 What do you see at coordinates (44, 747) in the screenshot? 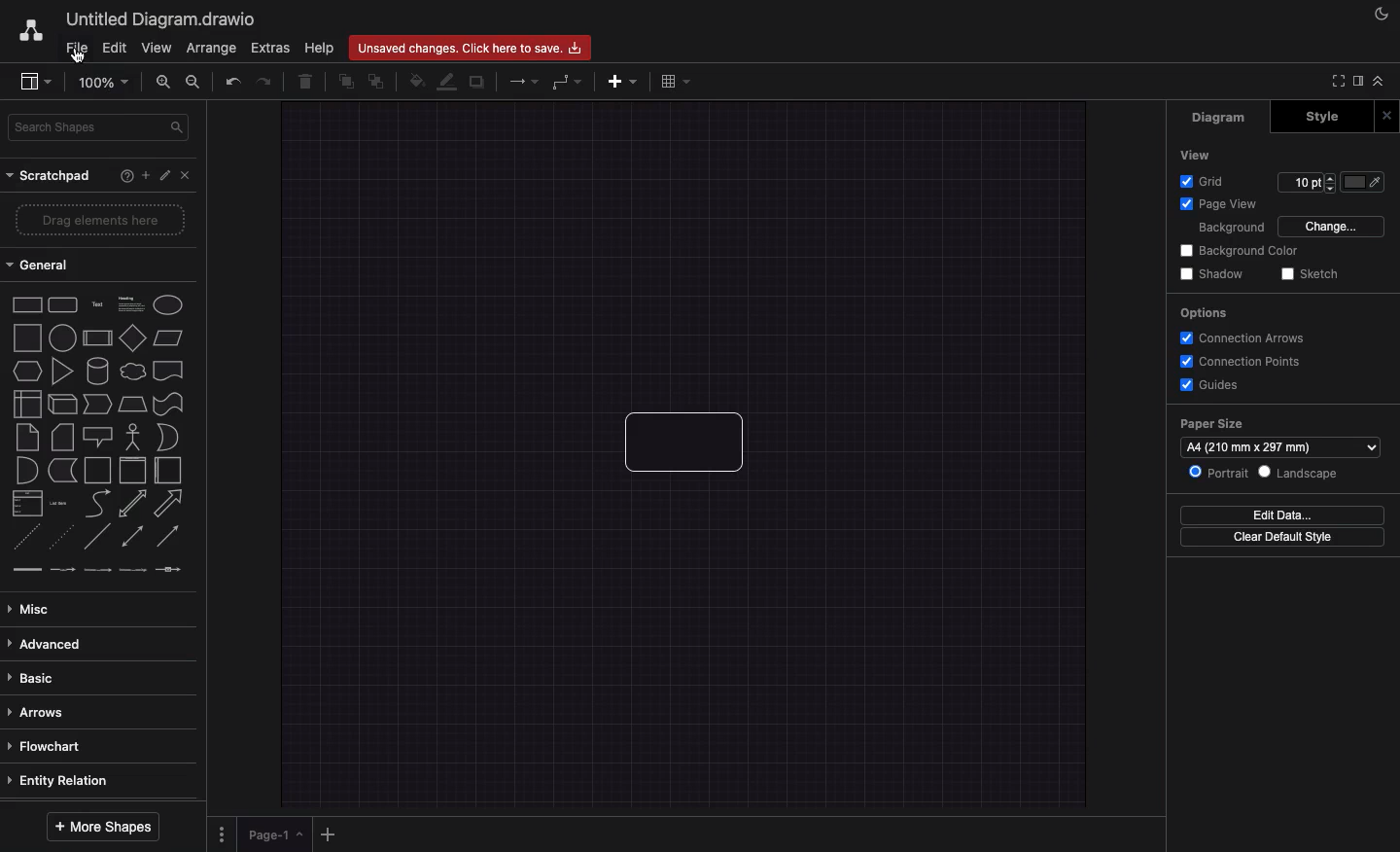
I see `Flowchart` at bounding box center [44, 747].